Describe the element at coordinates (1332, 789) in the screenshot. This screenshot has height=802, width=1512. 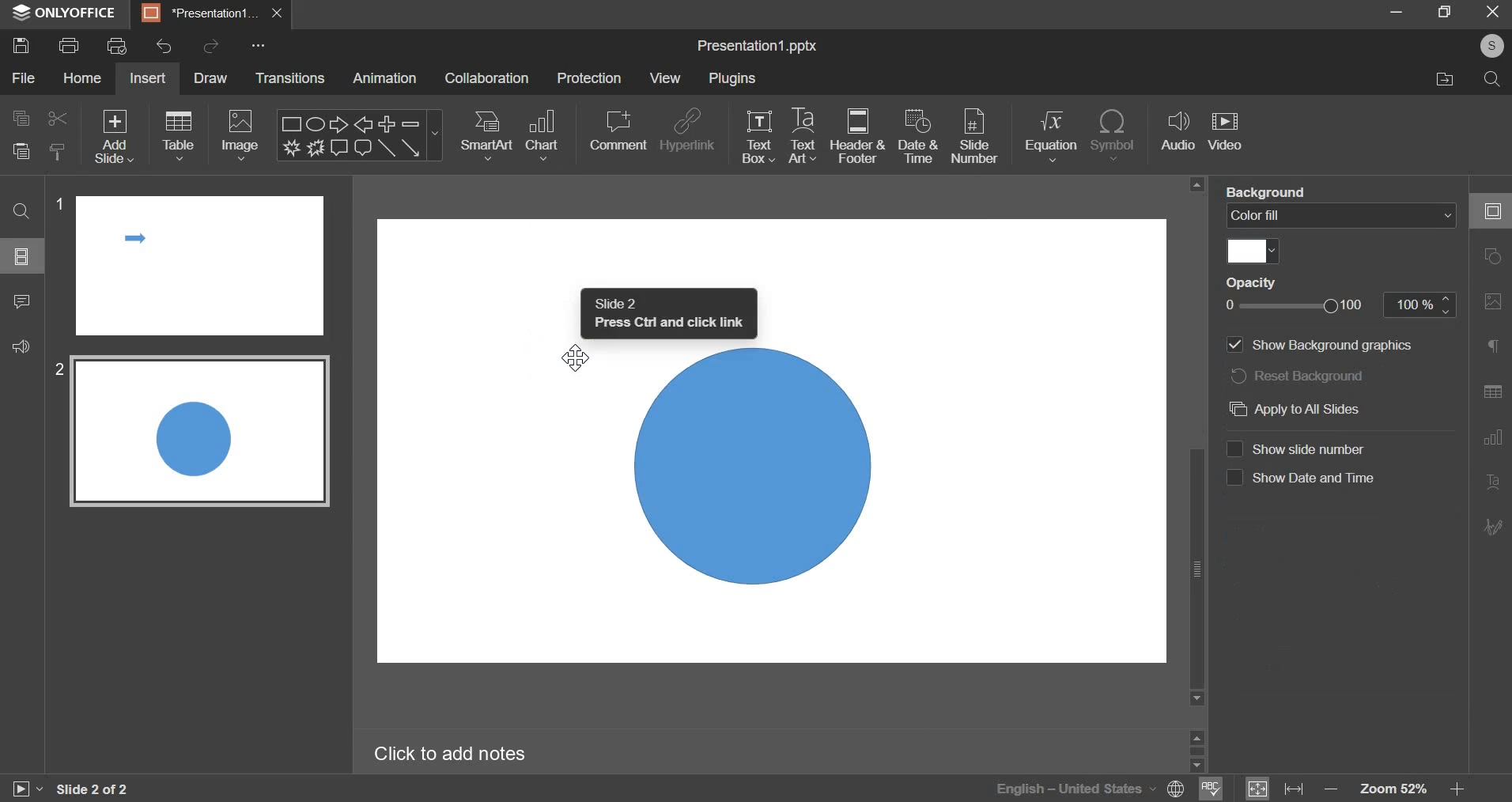
I see `decrease zoom` at that location.